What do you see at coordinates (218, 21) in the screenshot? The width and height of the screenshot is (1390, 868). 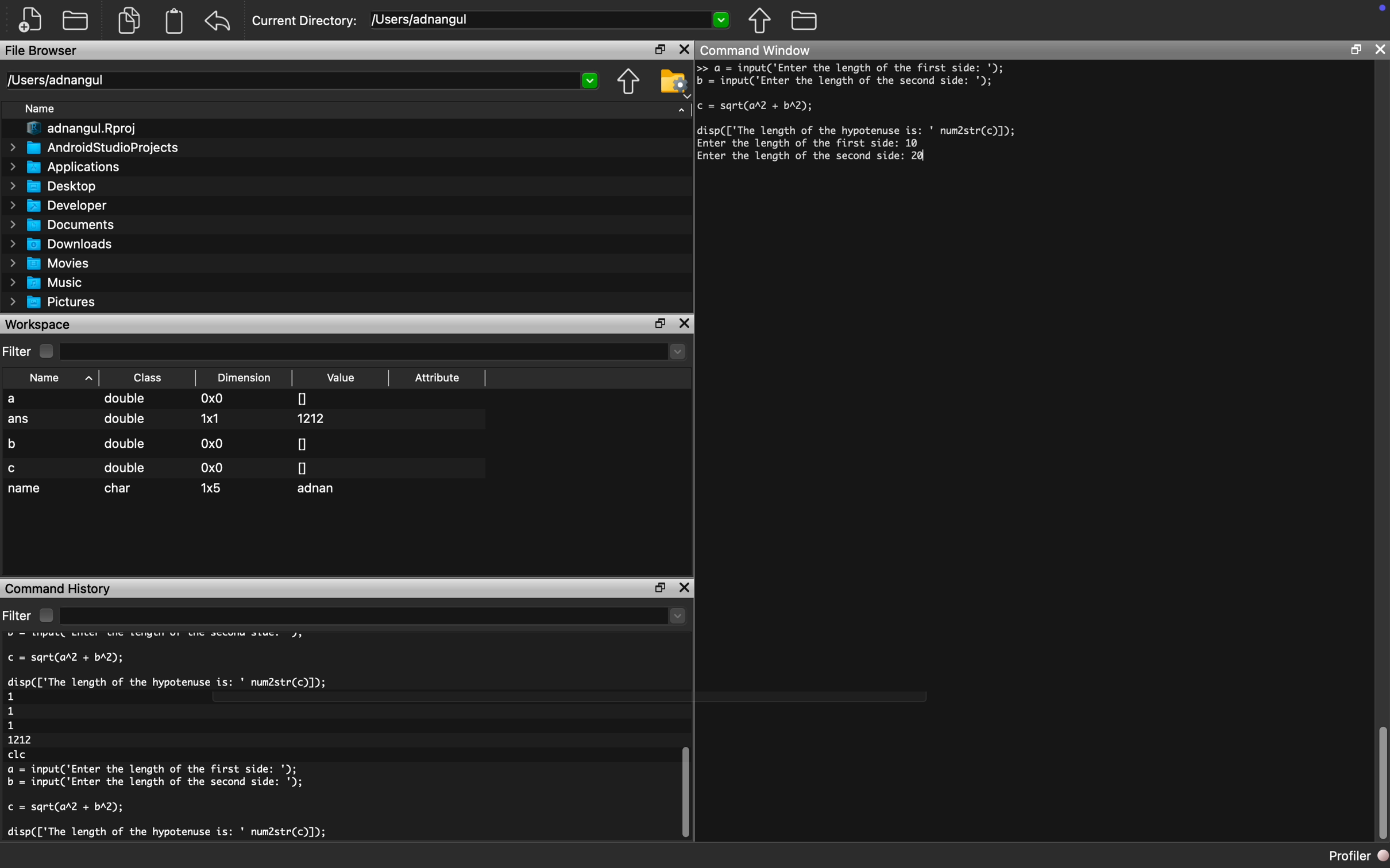 I see `undo` at bounding box center [218, 21].